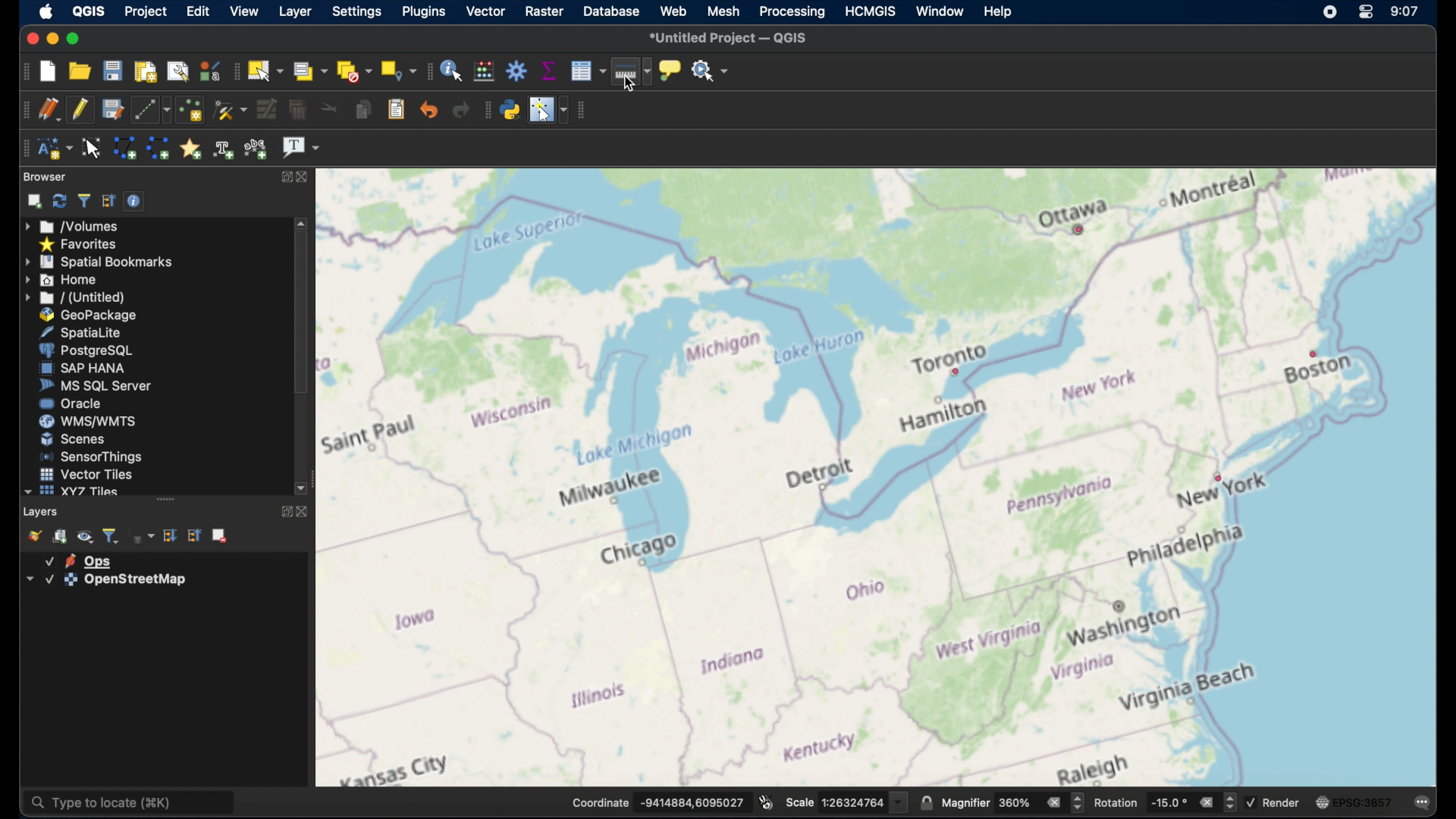 Image resolution: width=1456 pixels, height=819 pixels. I want to click on untitles project QGIS, so click(731, 39).